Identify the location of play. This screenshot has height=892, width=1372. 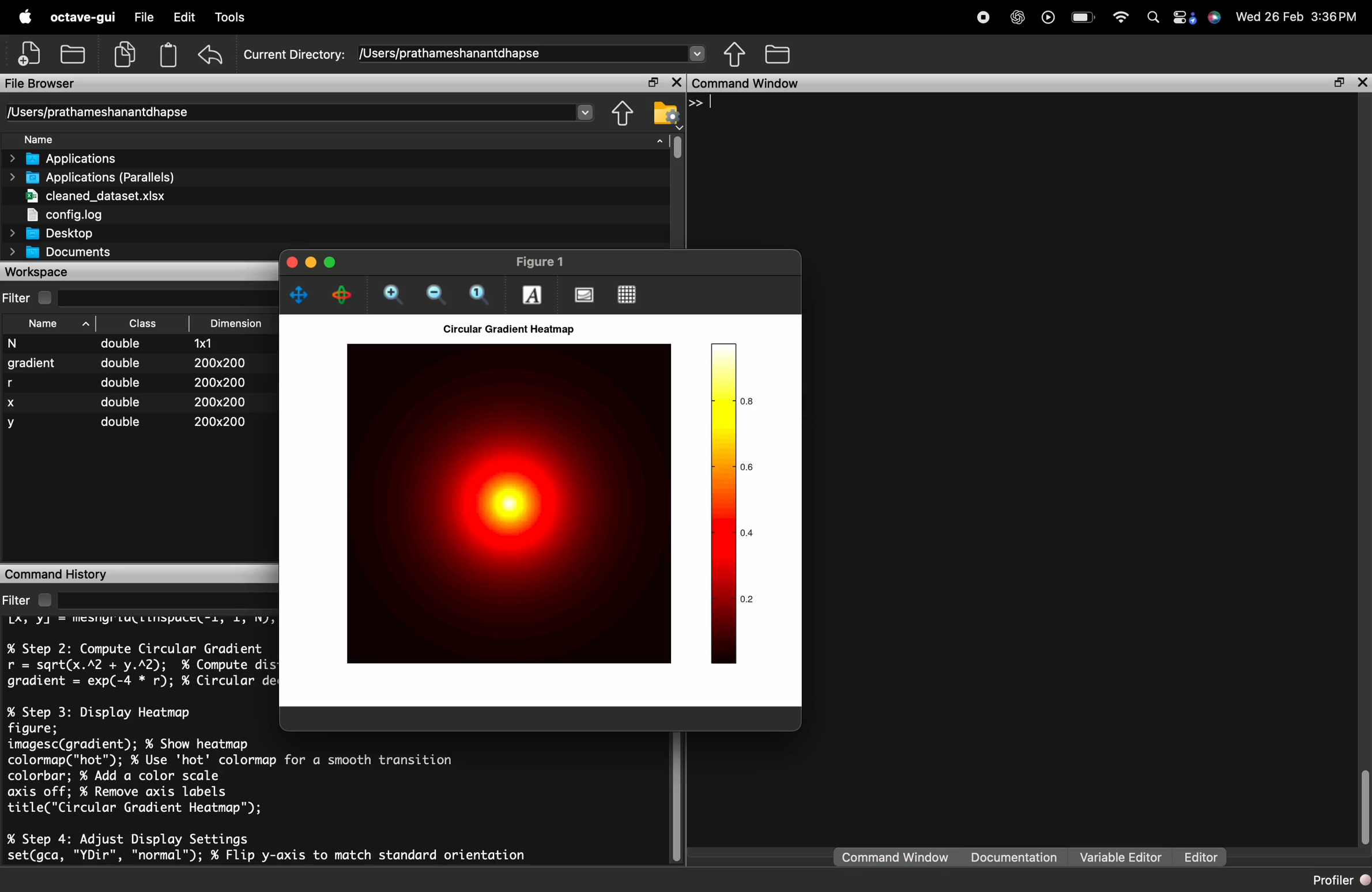
(1051, 17).